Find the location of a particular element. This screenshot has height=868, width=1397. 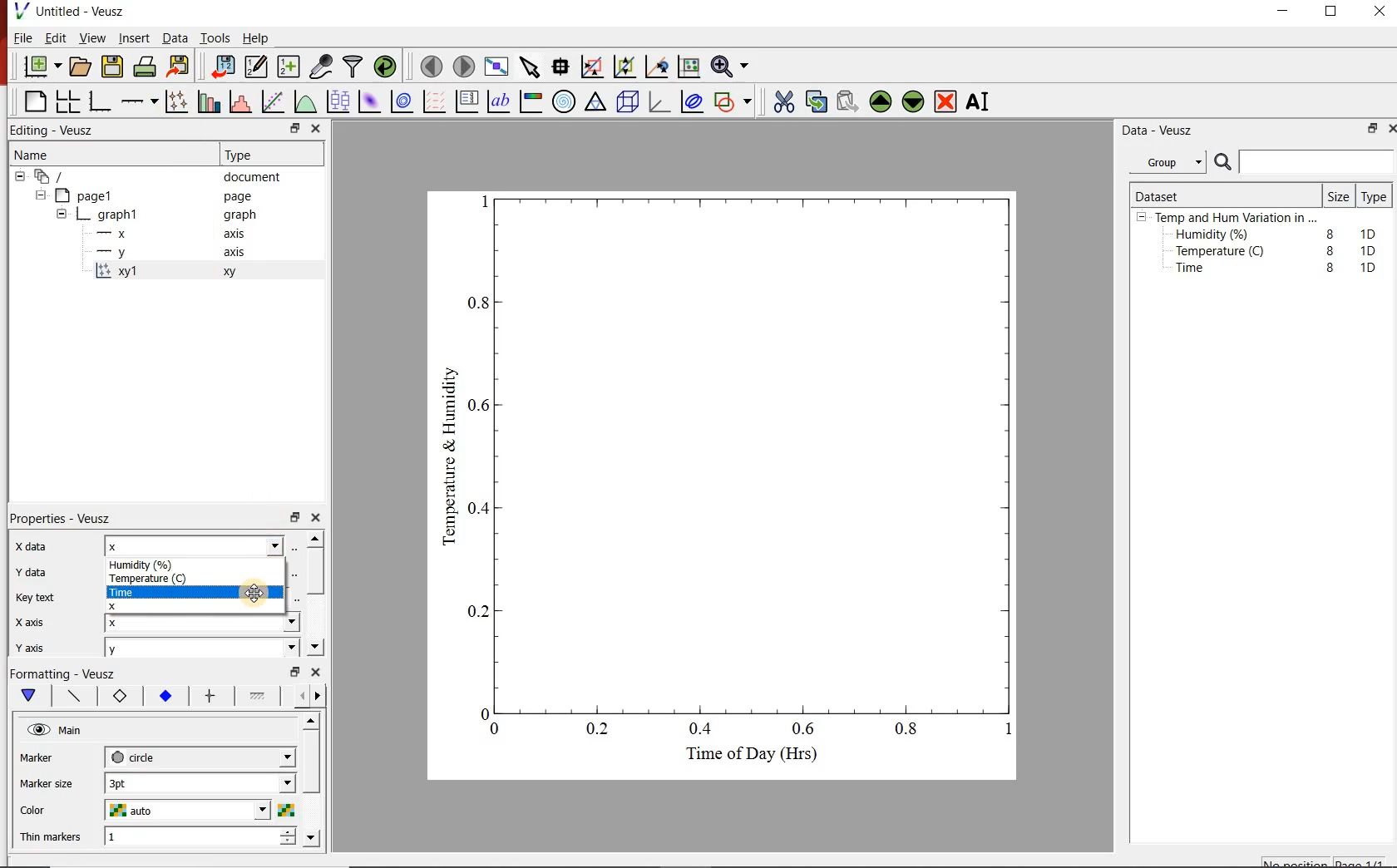

xy1 is located at coordinates (126, 271).